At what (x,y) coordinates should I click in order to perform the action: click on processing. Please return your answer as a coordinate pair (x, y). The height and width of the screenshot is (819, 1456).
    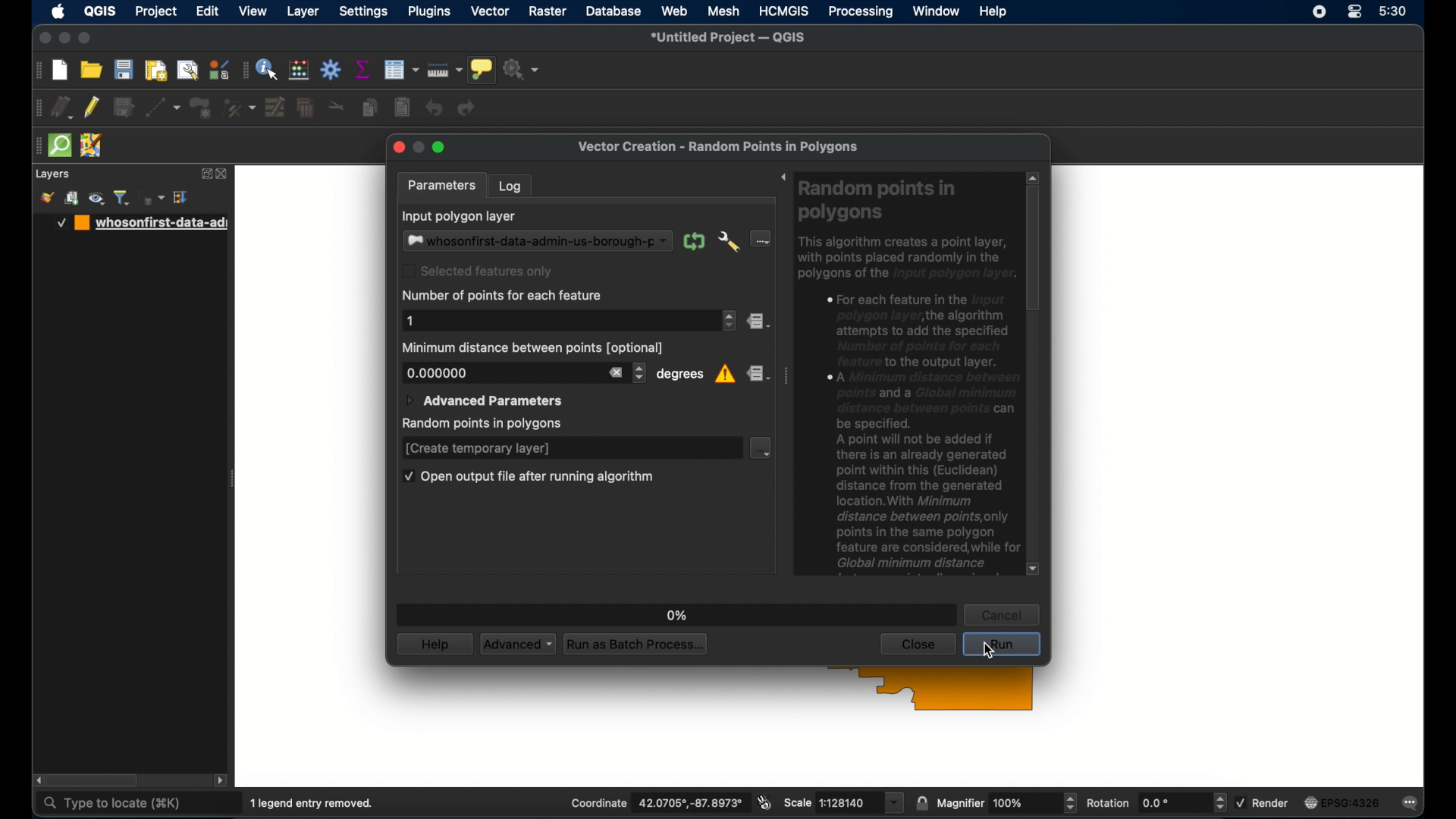
    Looking at the image, I should click on (860, 11).